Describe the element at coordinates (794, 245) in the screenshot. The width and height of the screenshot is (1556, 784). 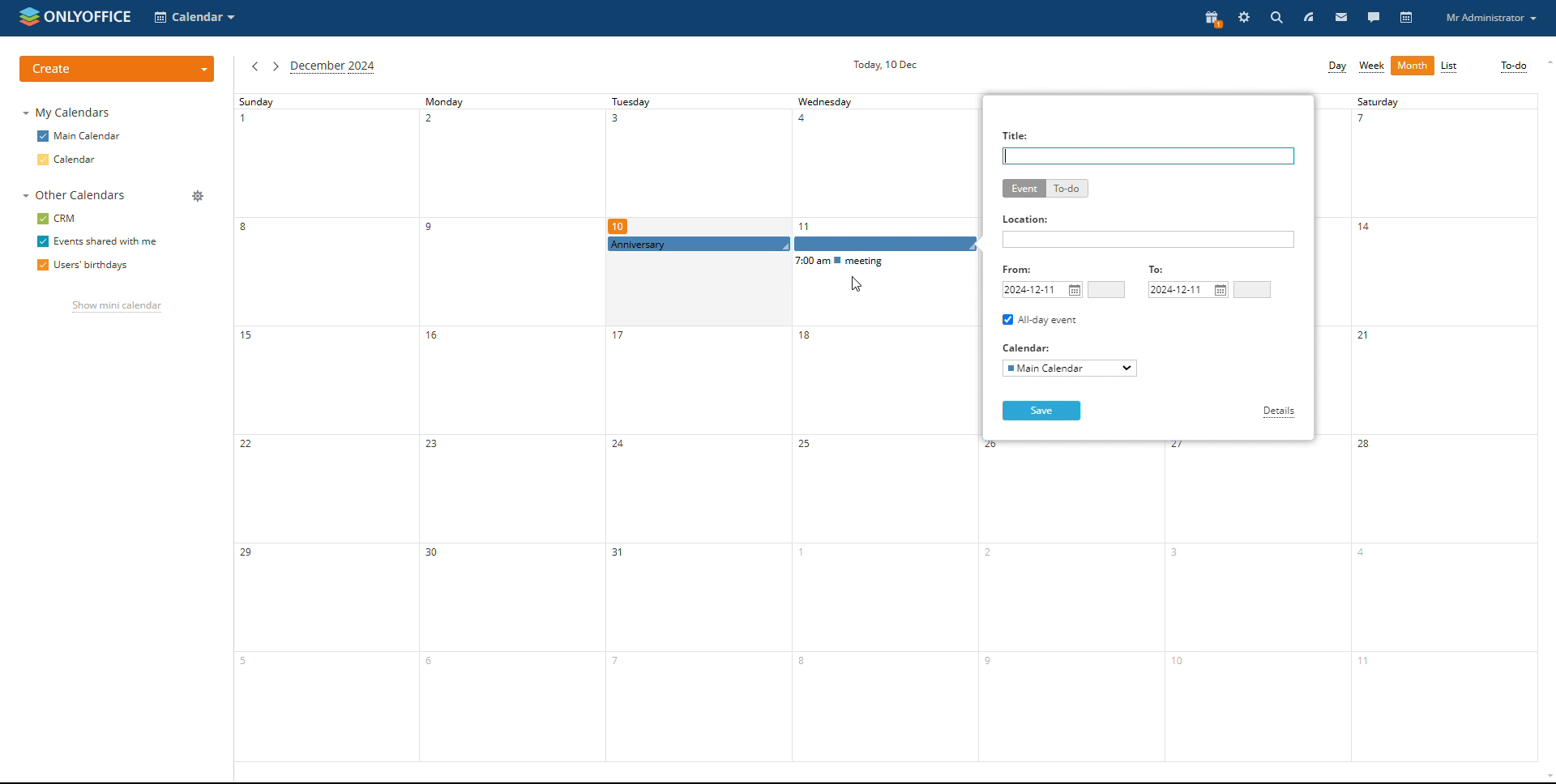
I see `scheduled event` at that location.